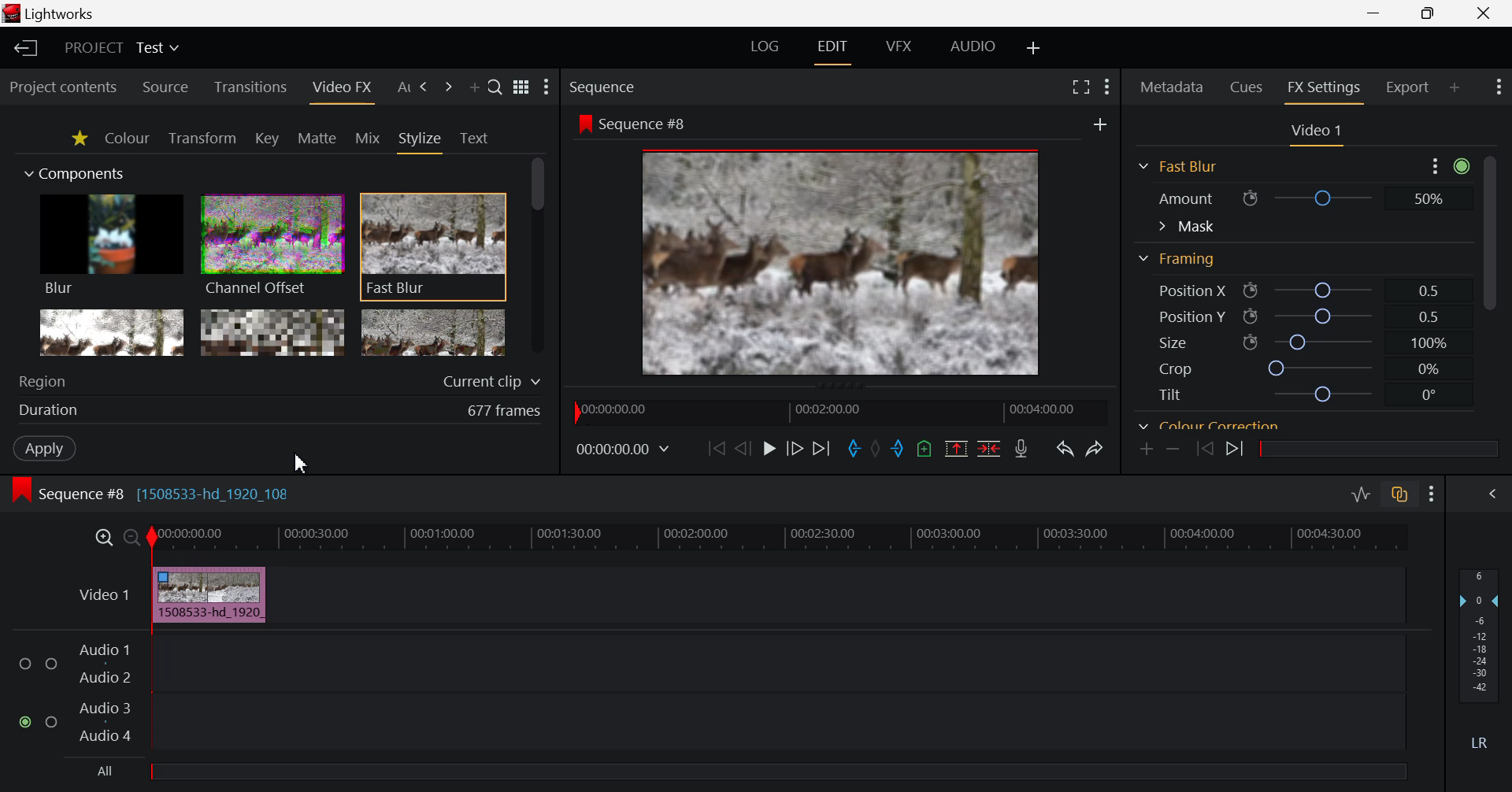 This screenshot has height=792, width=1512. Describe the element at coordinates (606, 87) in the screenshot. I see `Sequence ` at that location.